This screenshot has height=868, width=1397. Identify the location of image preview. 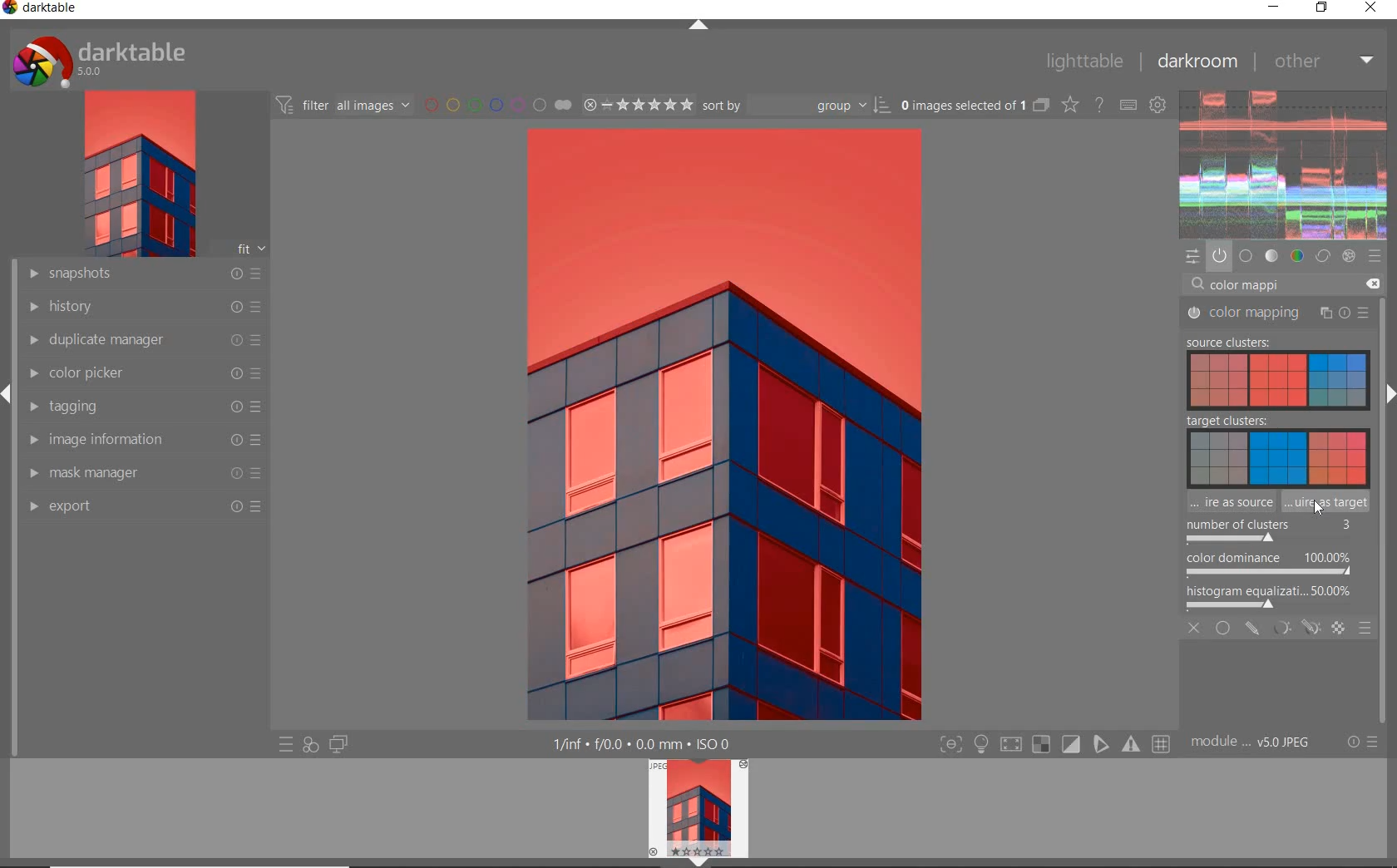
(697, 813).